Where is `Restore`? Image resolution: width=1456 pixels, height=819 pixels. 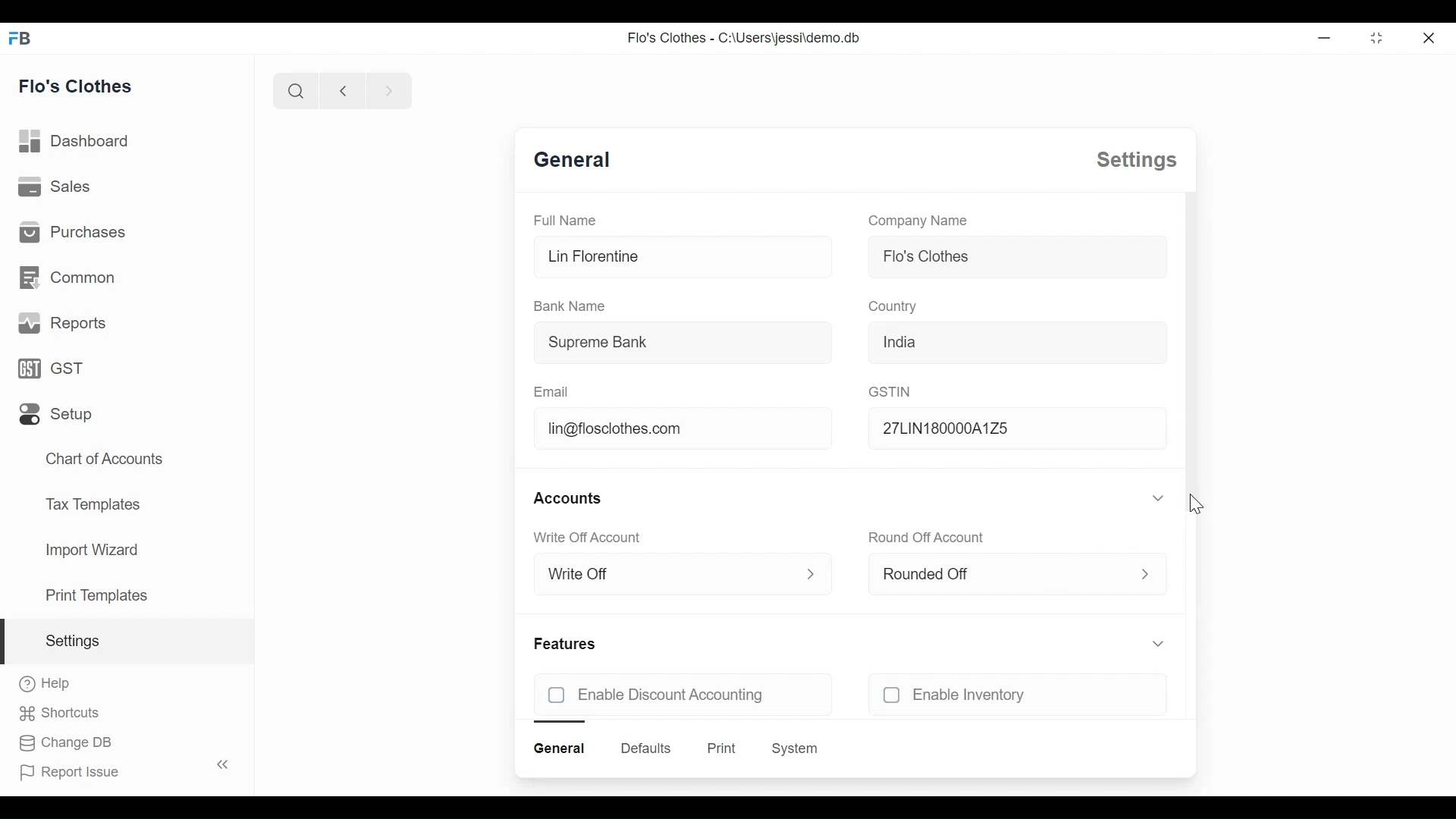 Restore is located at coordinates (1376, 37).